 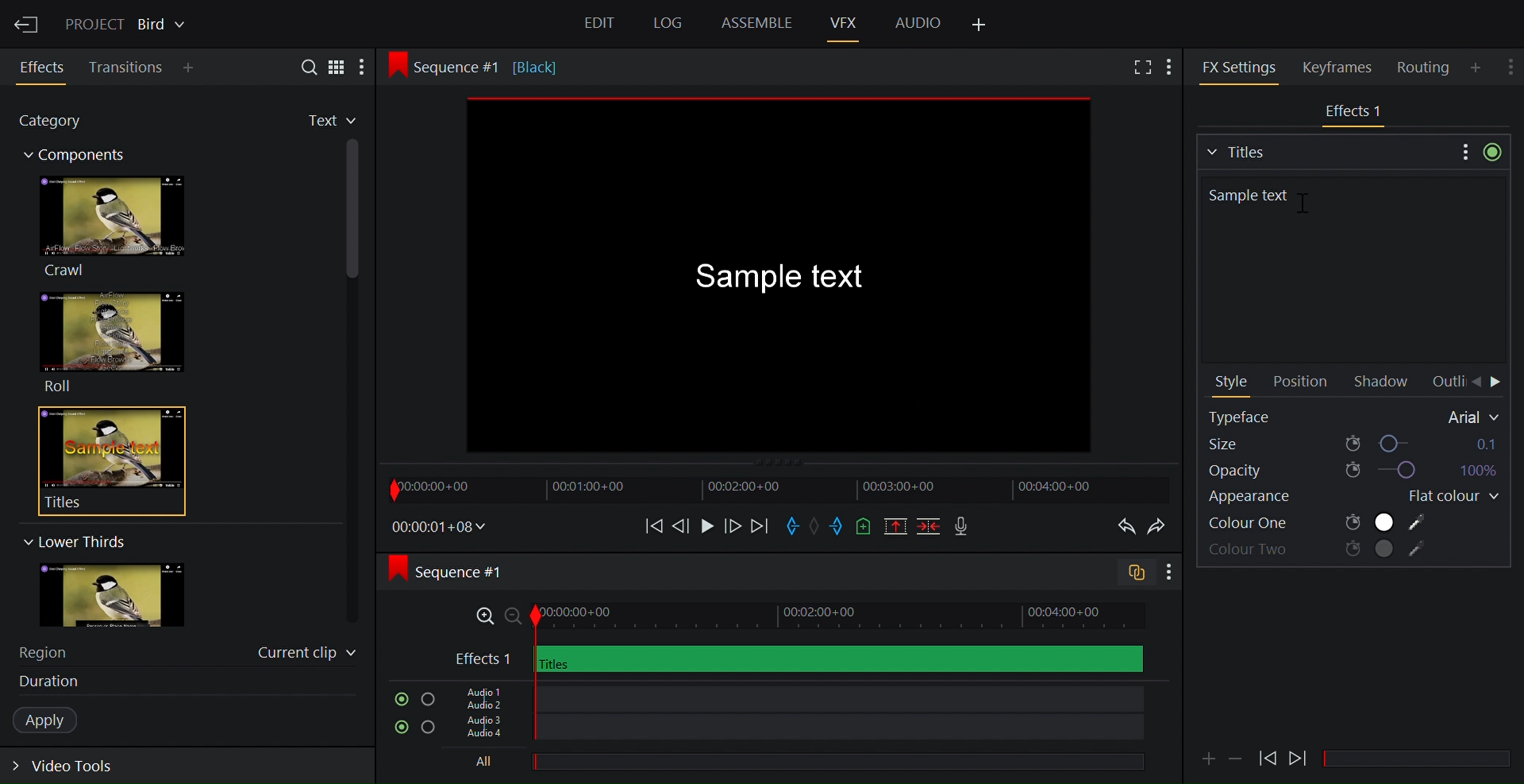 What do you see at coordinates (918, 21) in the screenshot?
I see `Audio` at bounding box center [918, 21].